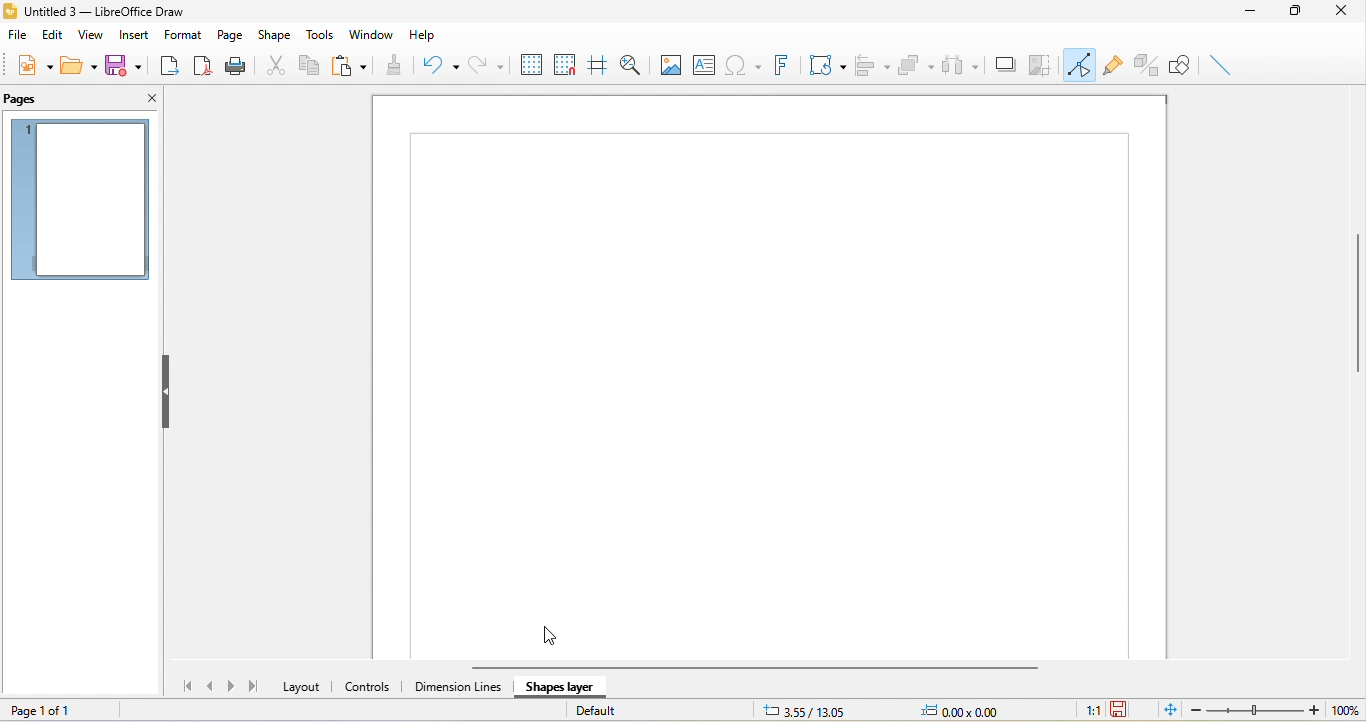  I want to click on print, so click(240, 66).